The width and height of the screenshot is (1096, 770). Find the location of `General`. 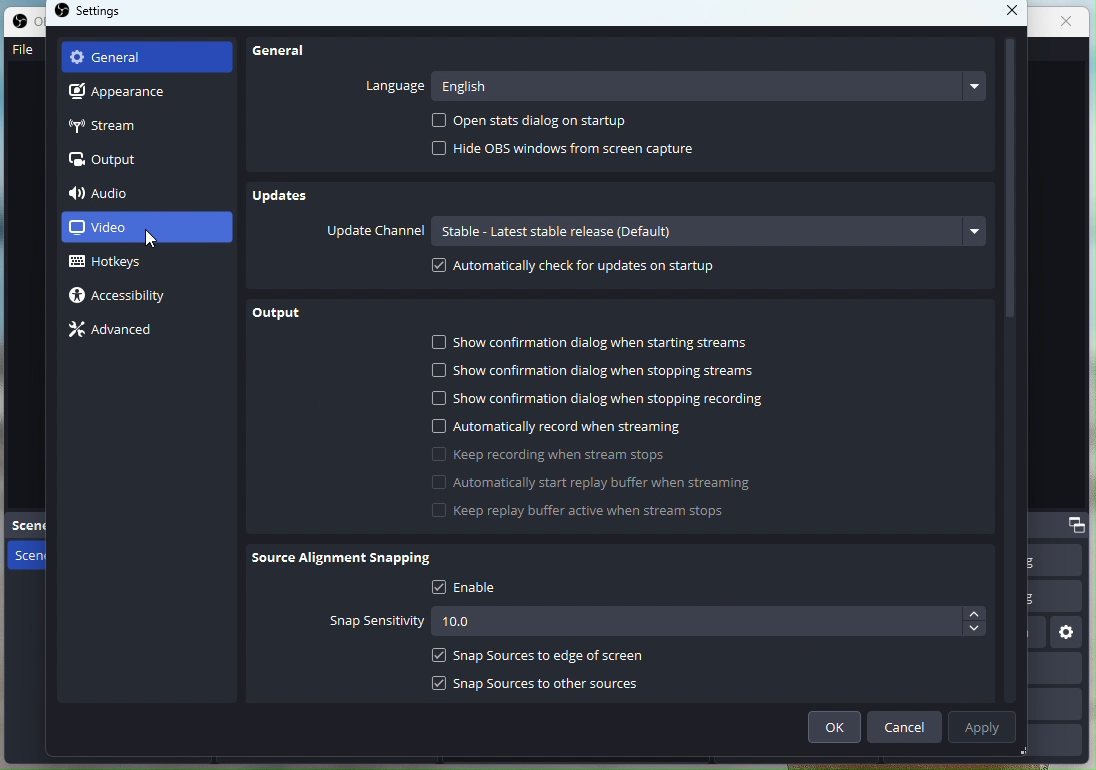

General is located at coordinates (279, 50).